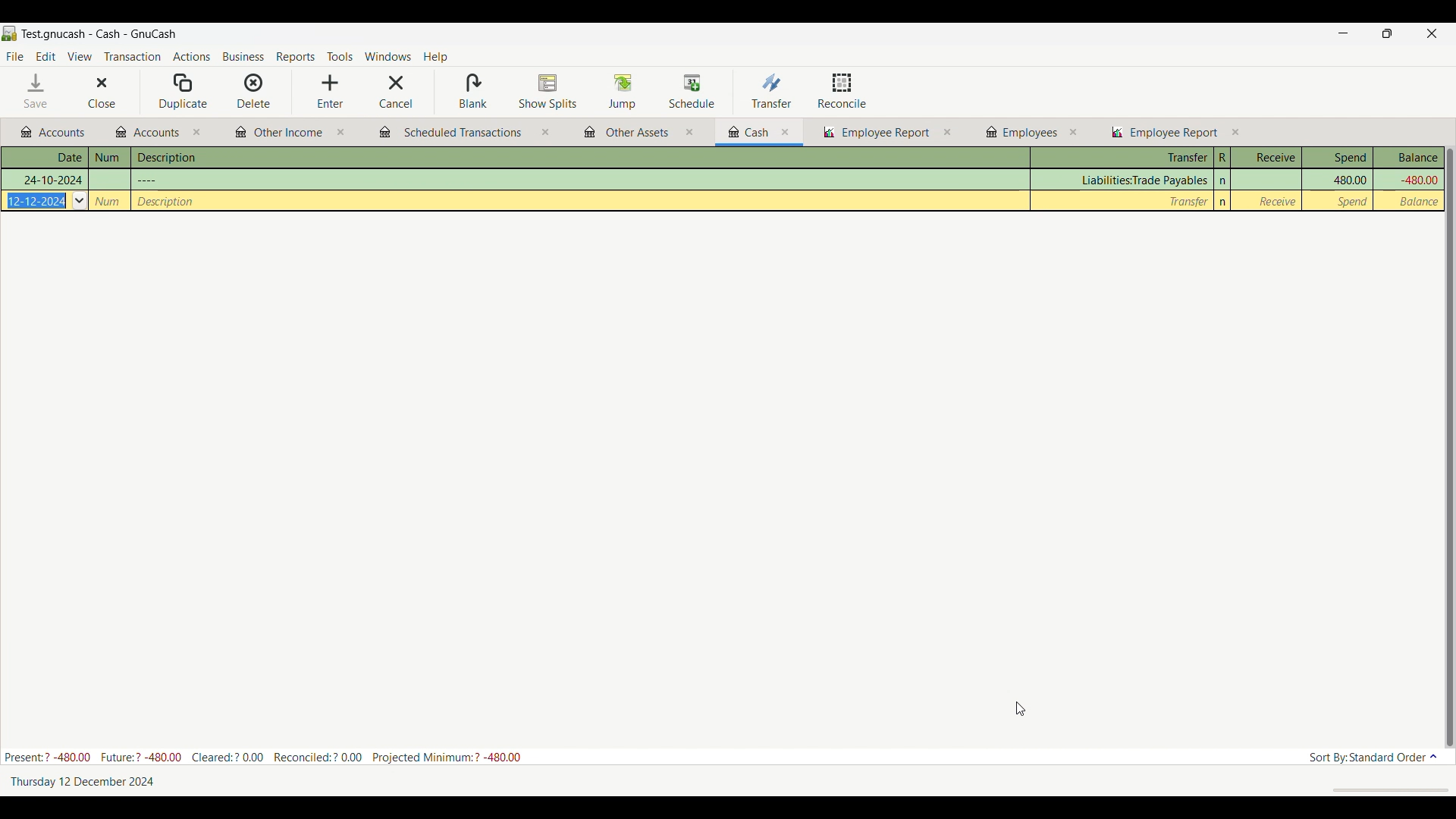  Describe the element at coordinates (1387, 33) in the screenshot. I see `Show in smaller tab` at that location.